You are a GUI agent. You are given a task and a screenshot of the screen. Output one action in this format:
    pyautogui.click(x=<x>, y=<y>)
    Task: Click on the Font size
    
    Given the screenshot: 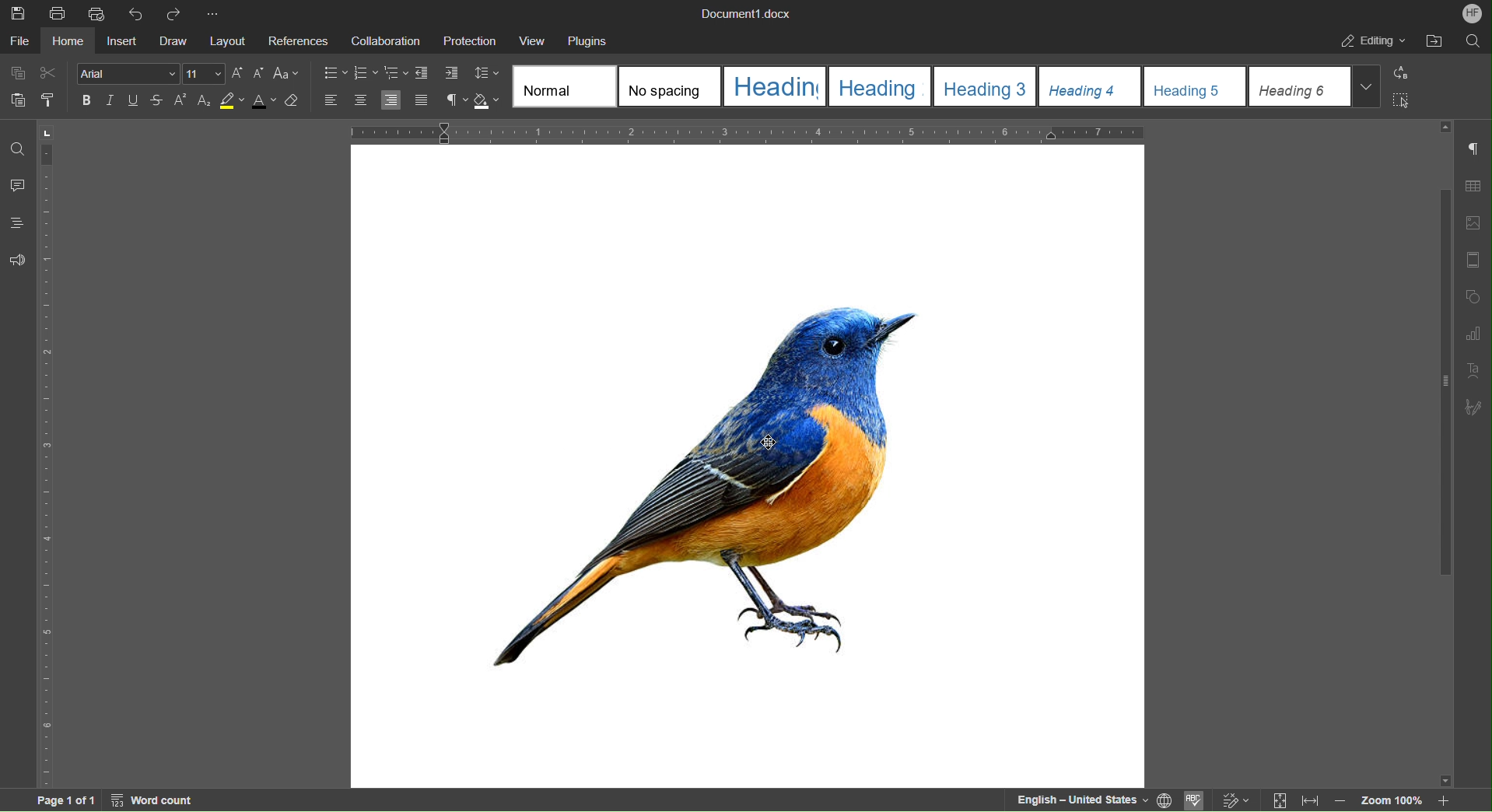 What is the action you would take?
    pyautogui.click(x=205, y=73)
    